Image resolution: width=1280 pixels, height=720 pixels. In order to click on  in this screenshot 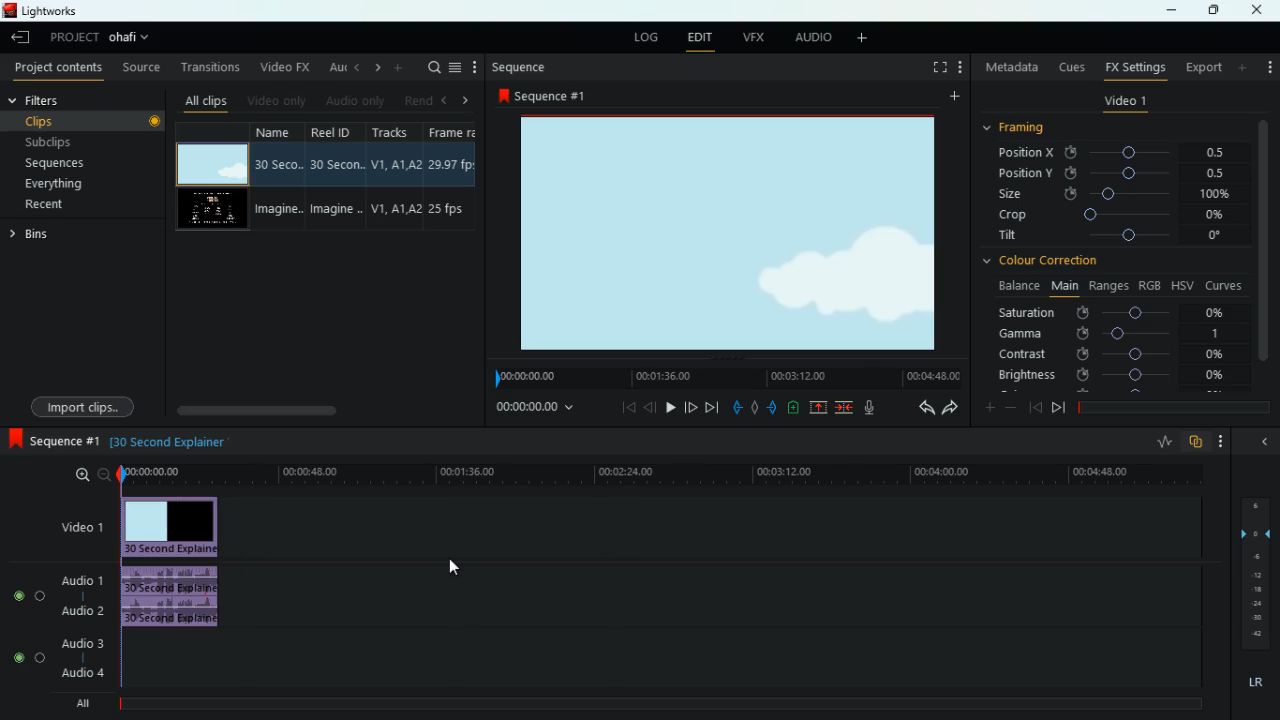, I will do `click(1256, 619)`.